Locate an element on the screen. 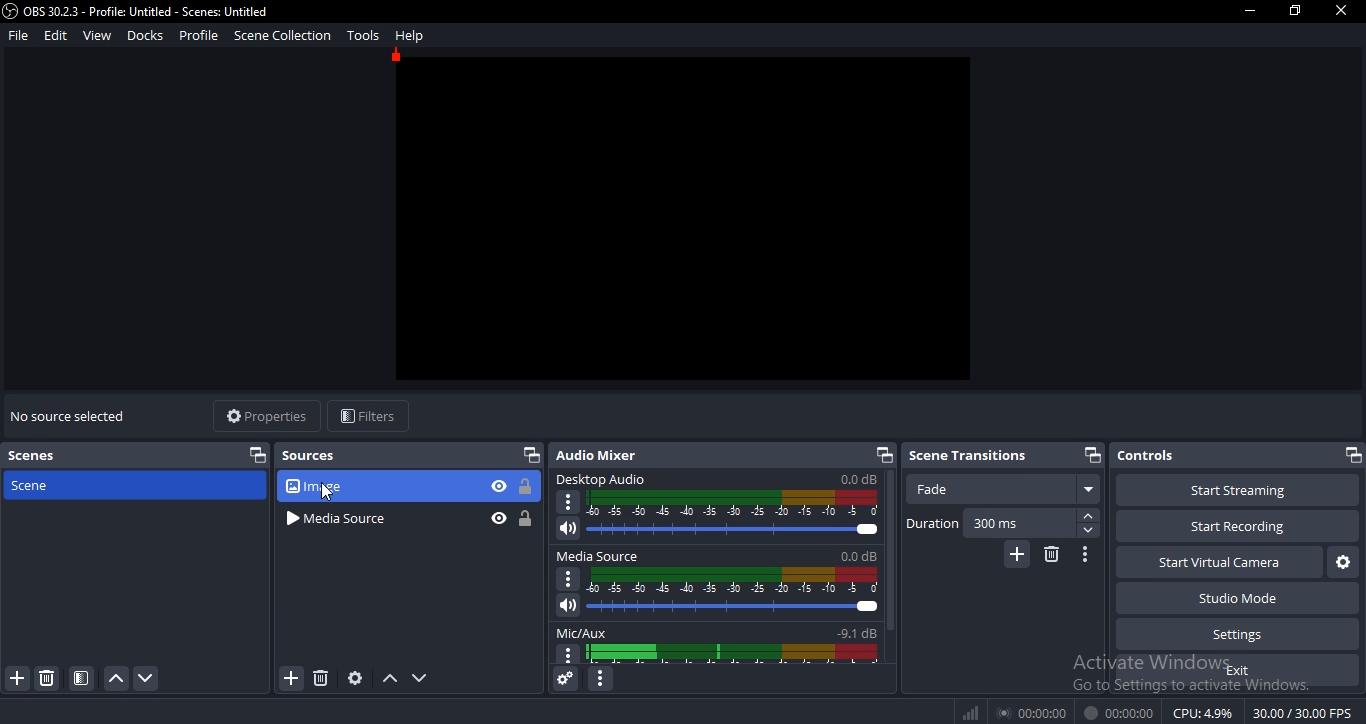  help is located at coordinates (407, 36).